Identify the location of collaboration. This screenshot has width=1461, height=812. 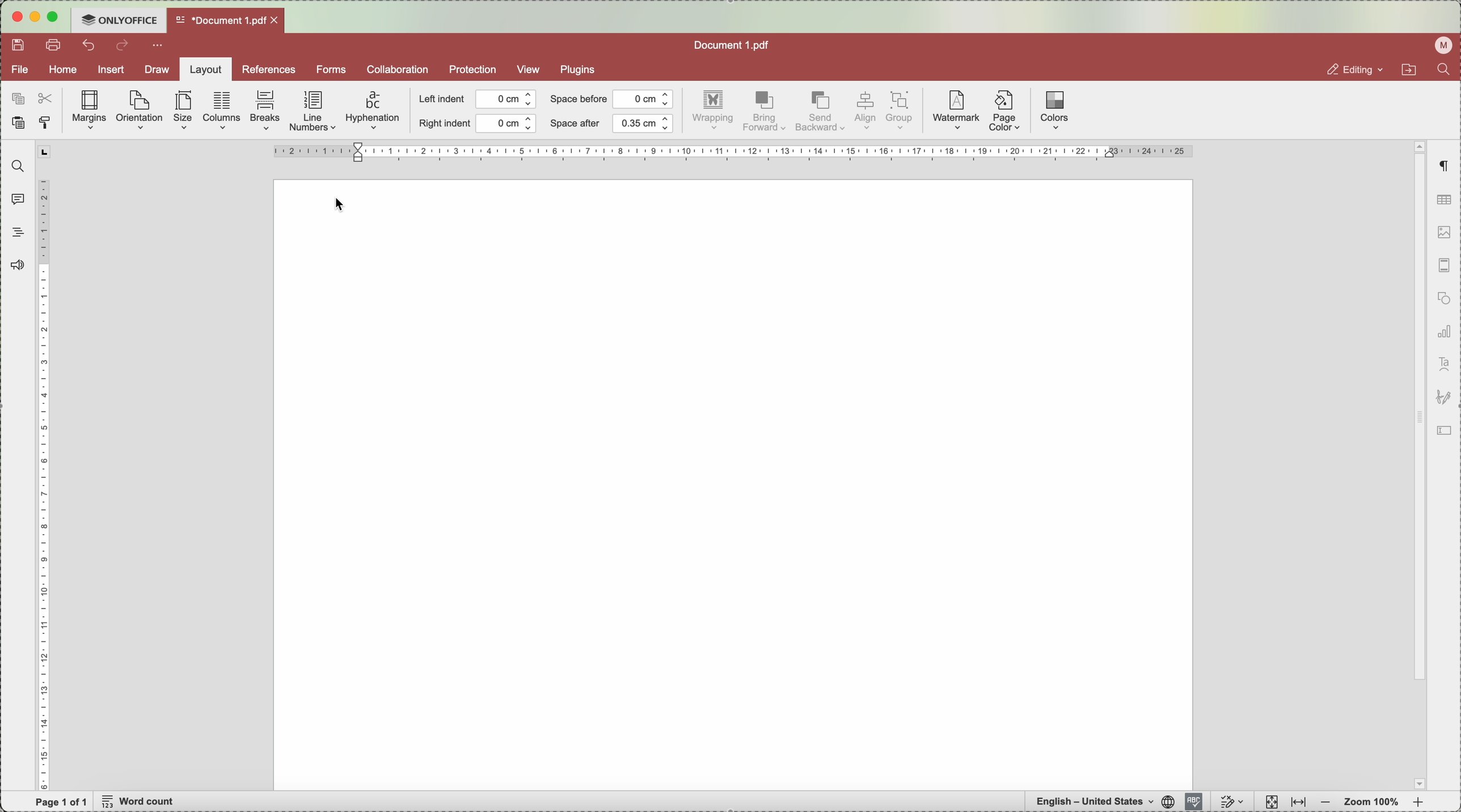
(397, 69).